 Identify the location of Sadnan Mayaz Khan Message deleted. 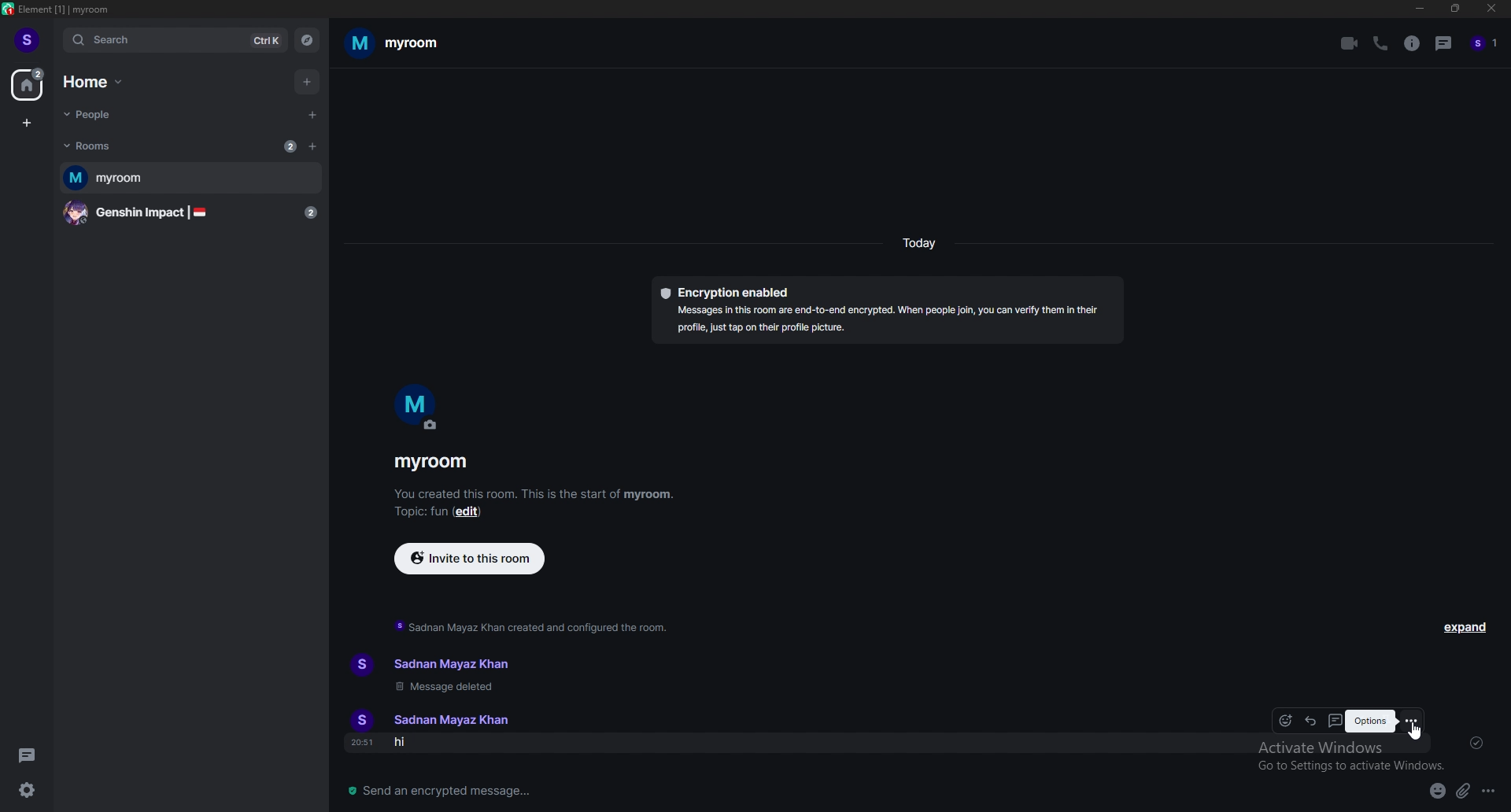
(434, 673).